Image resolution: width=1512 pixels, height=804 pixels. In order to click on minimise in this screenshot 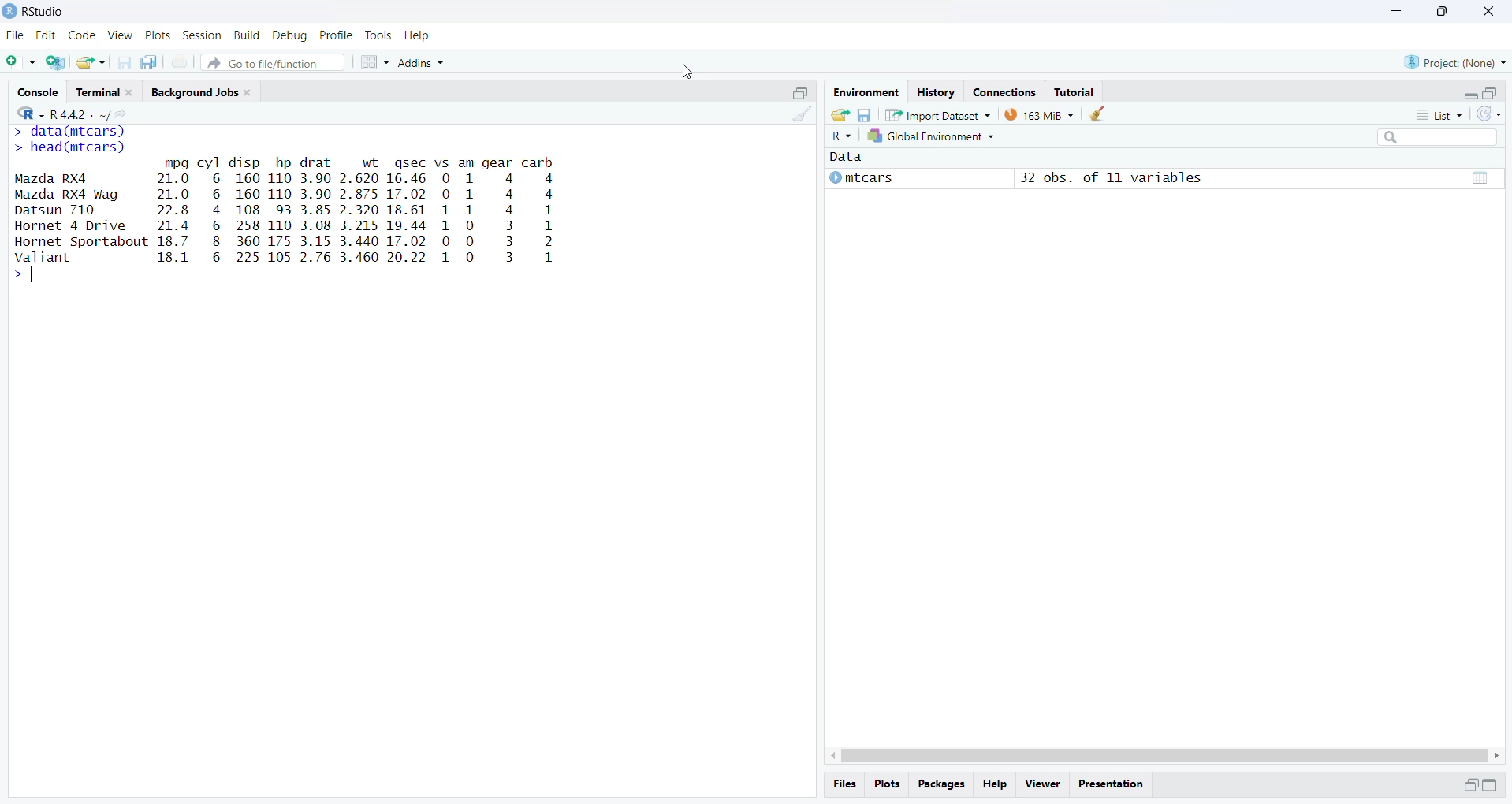, I will do `click(1399, 9)`.